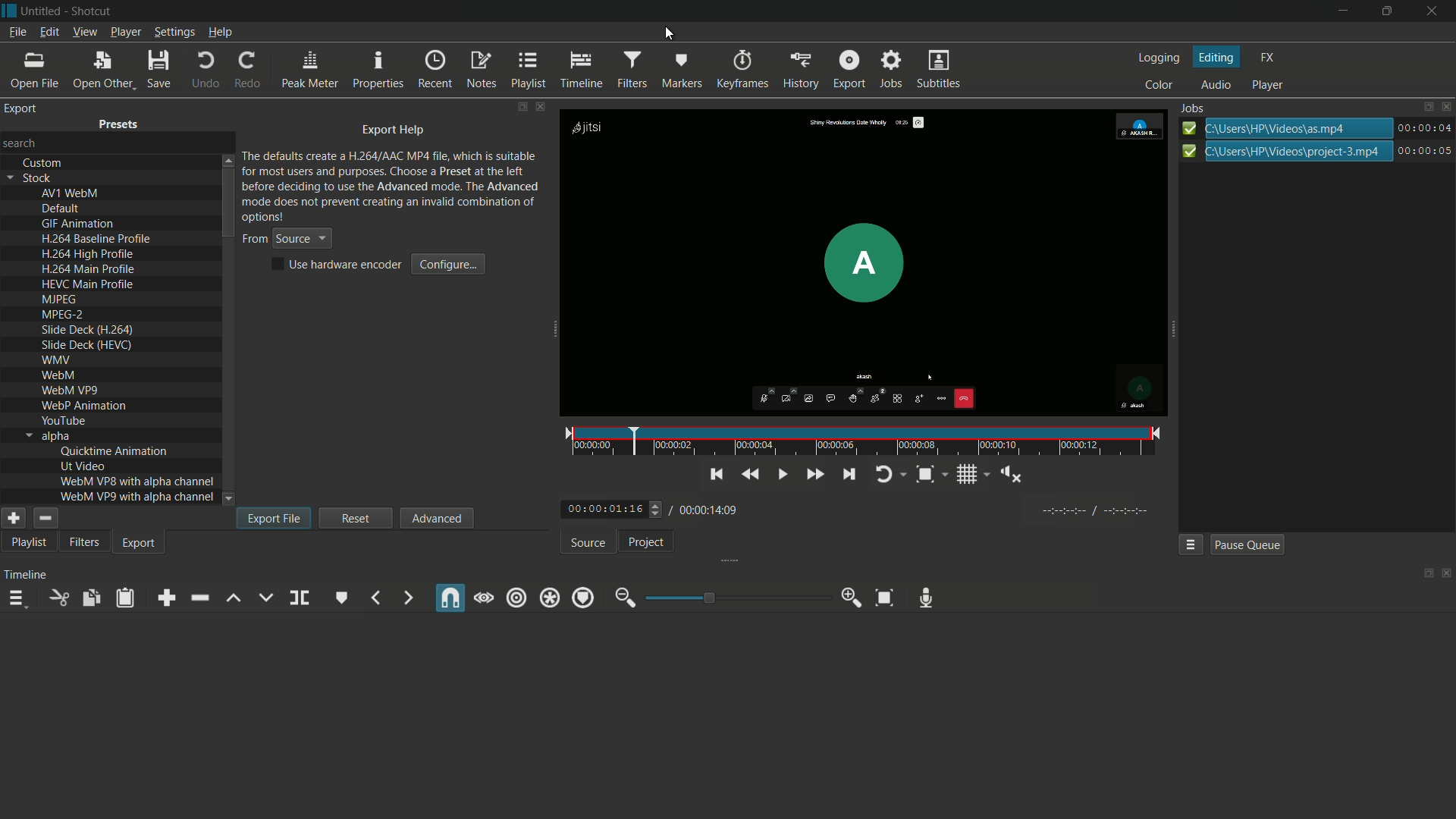 This screenshot has height=819, width=1456. What do you see at coordinates (714, 472) in the screenshot?
I see `skip to the previous point` at bounding box center [714, 472].